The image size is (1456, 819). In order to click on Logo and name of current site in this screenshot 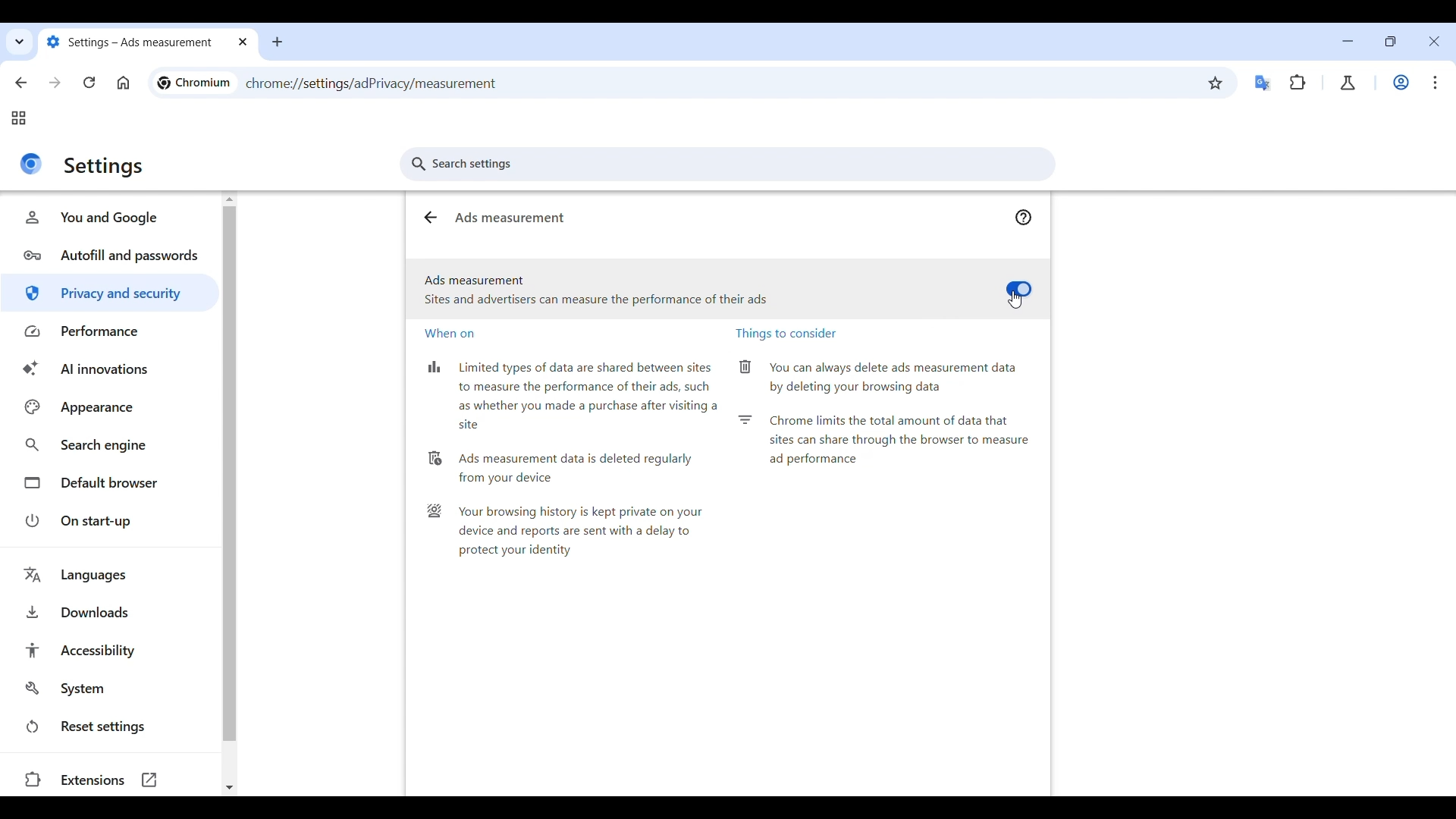, I will do `click(194, 83)`.